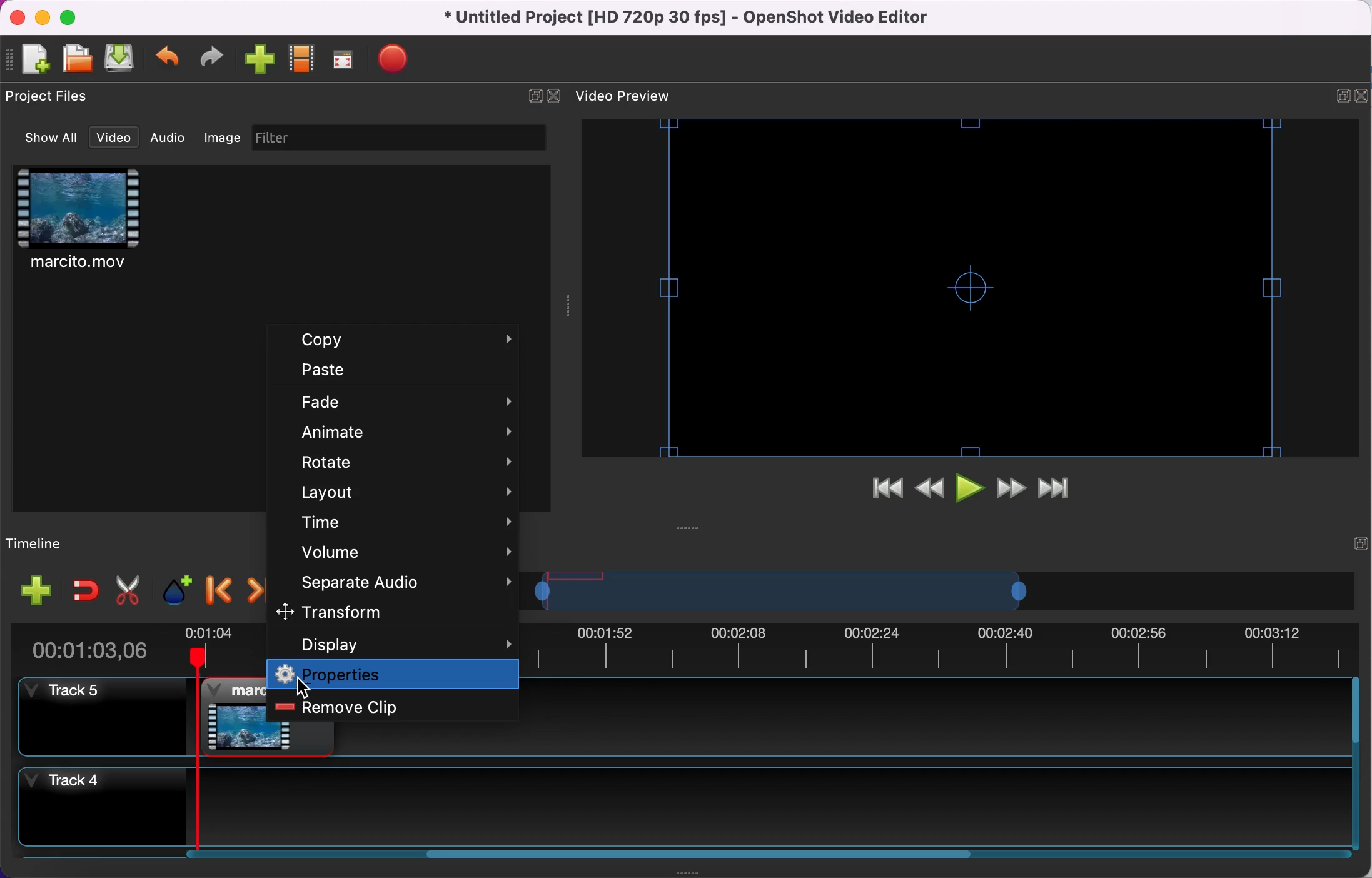 The height and width of the screenshot is (878, 1372). What do you see at coordinates (92, 225) in the screenshot?
I see `video` at bounding box center [92, 225].